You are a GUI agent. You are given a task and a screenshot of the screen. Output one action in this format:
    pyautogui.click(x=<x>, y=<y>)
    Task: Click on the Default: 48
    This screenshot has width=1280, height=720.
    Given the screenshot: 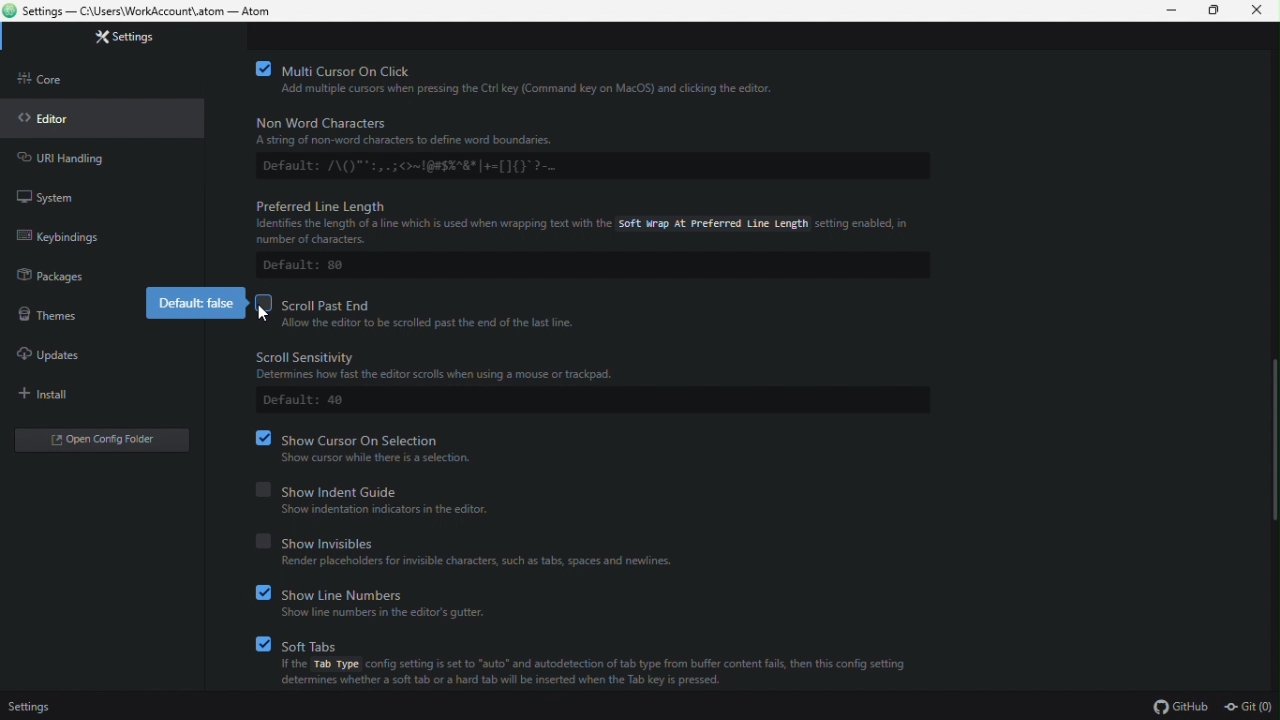 What is the action you would take?
    pyautogui.click(x=305, y=401)
    